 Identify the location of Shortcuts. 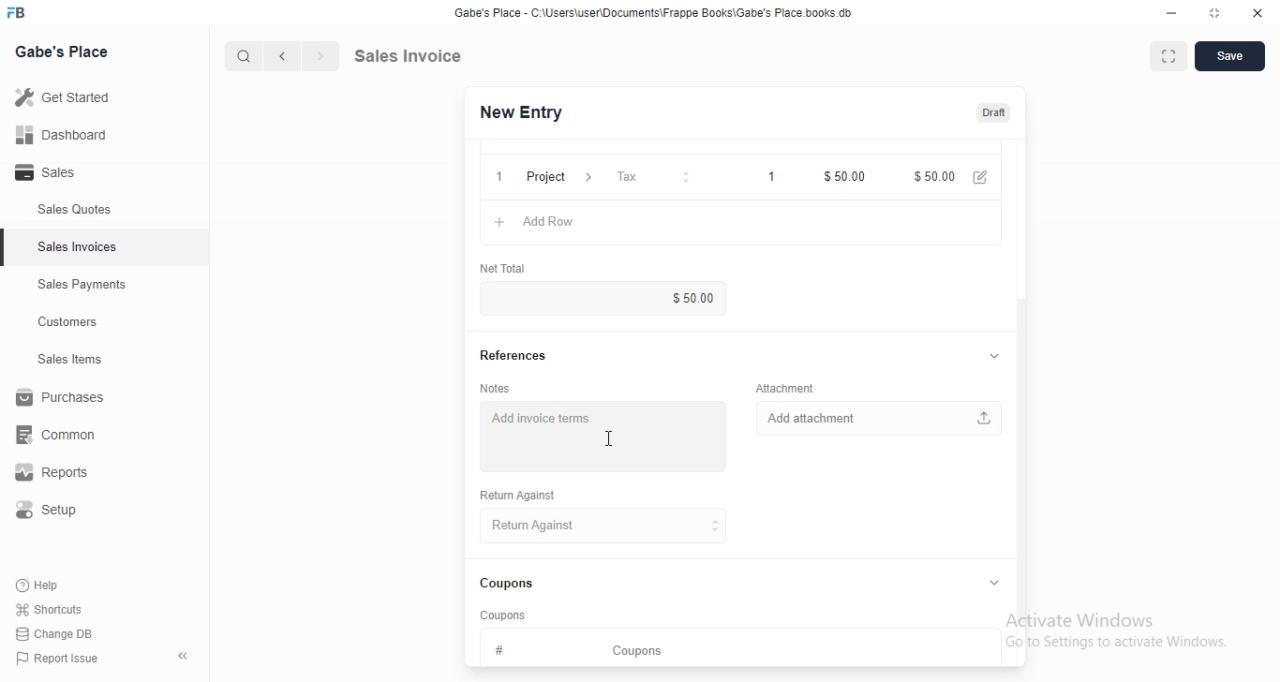
(61, 608).